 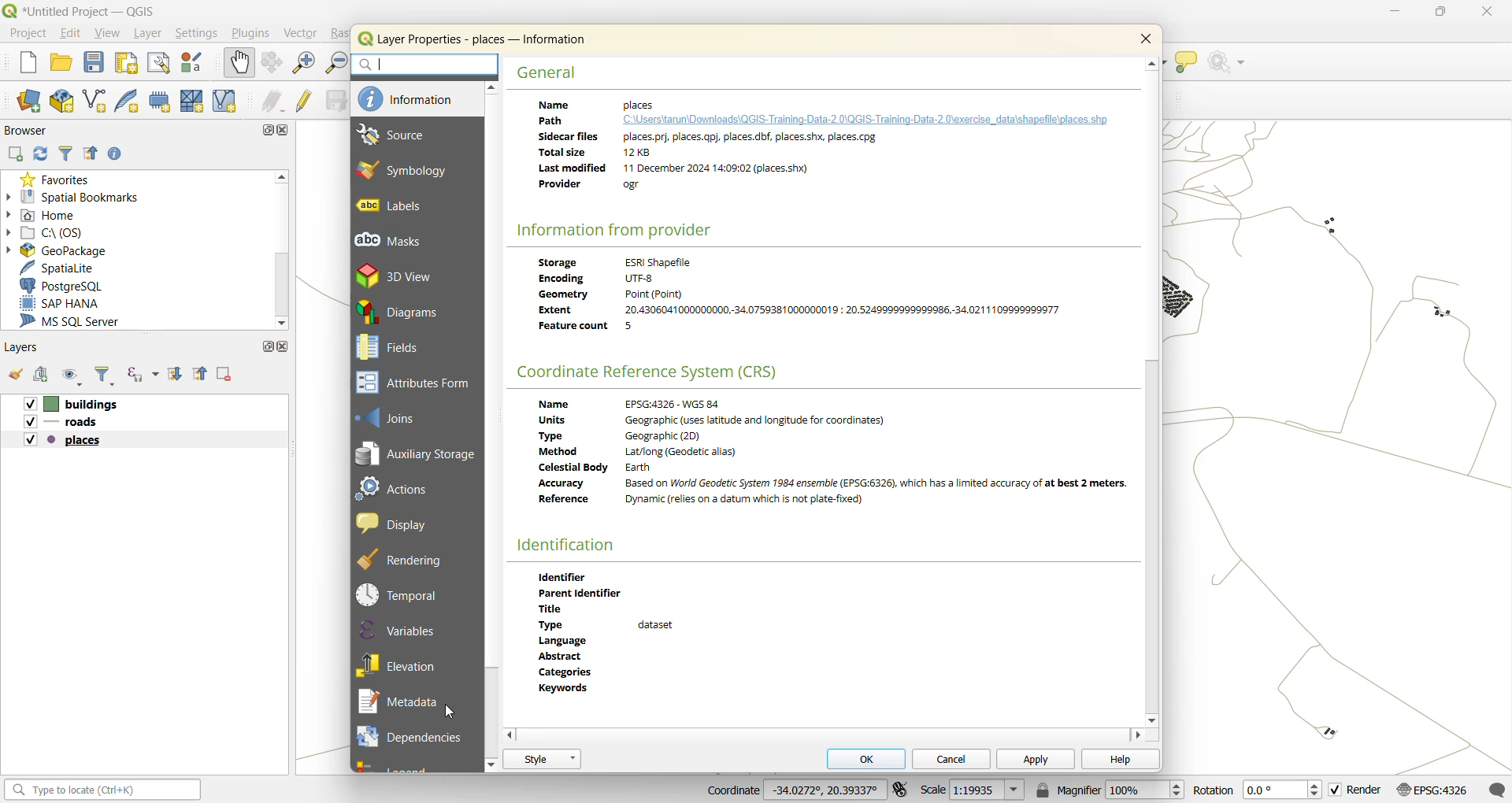 I want to click on enable properties, so click(x=119, y=154).